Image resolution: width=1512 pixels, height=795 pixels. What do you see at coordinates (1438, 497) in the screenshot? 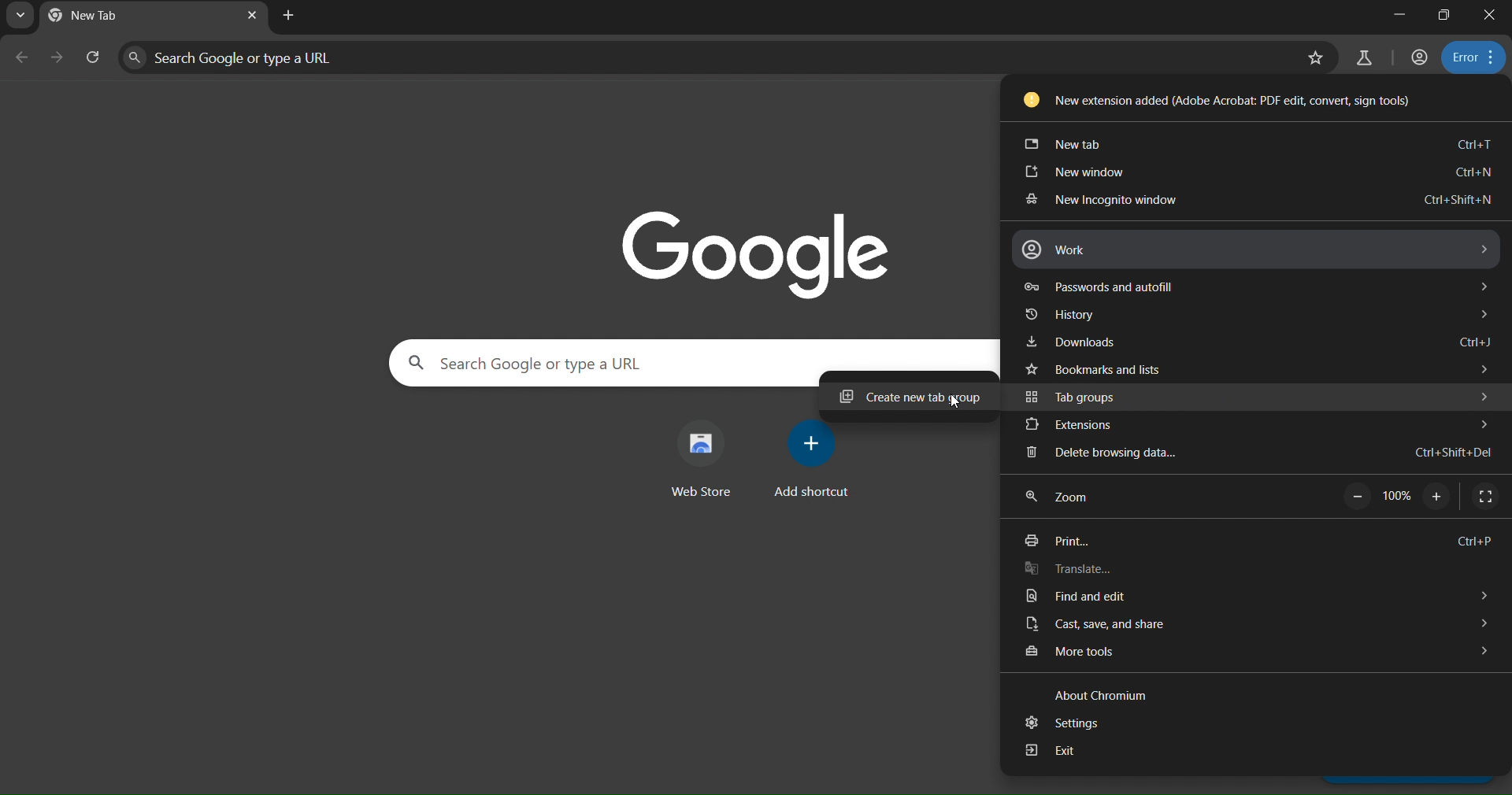
I see `zoom on` at bounding box center [1438, 497].